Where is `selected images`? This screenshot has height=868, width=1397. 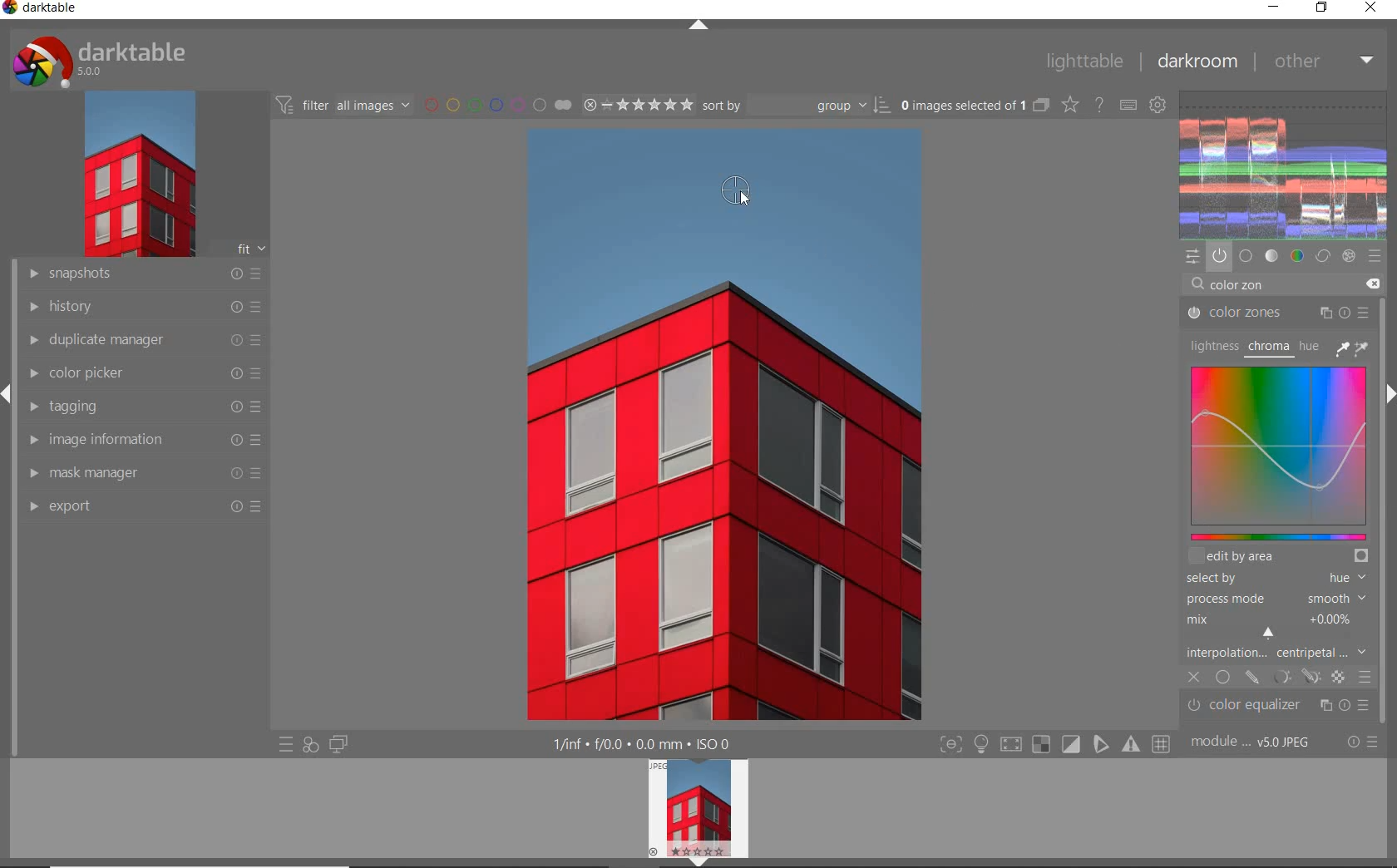
selected images is located at coordinates (974, 106).